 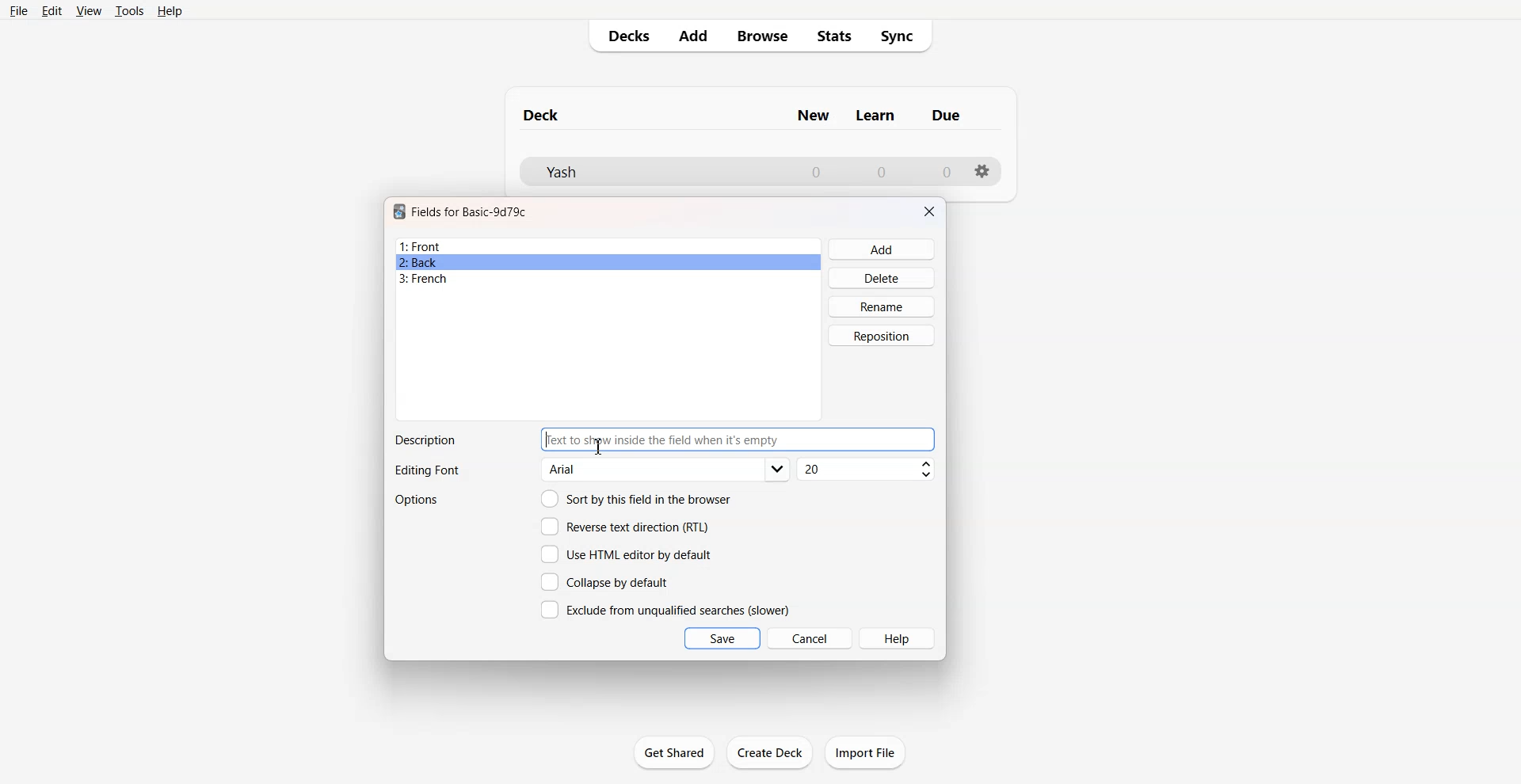 I want to click on Reverse text direction (RTL), so click(x=625, y=527).